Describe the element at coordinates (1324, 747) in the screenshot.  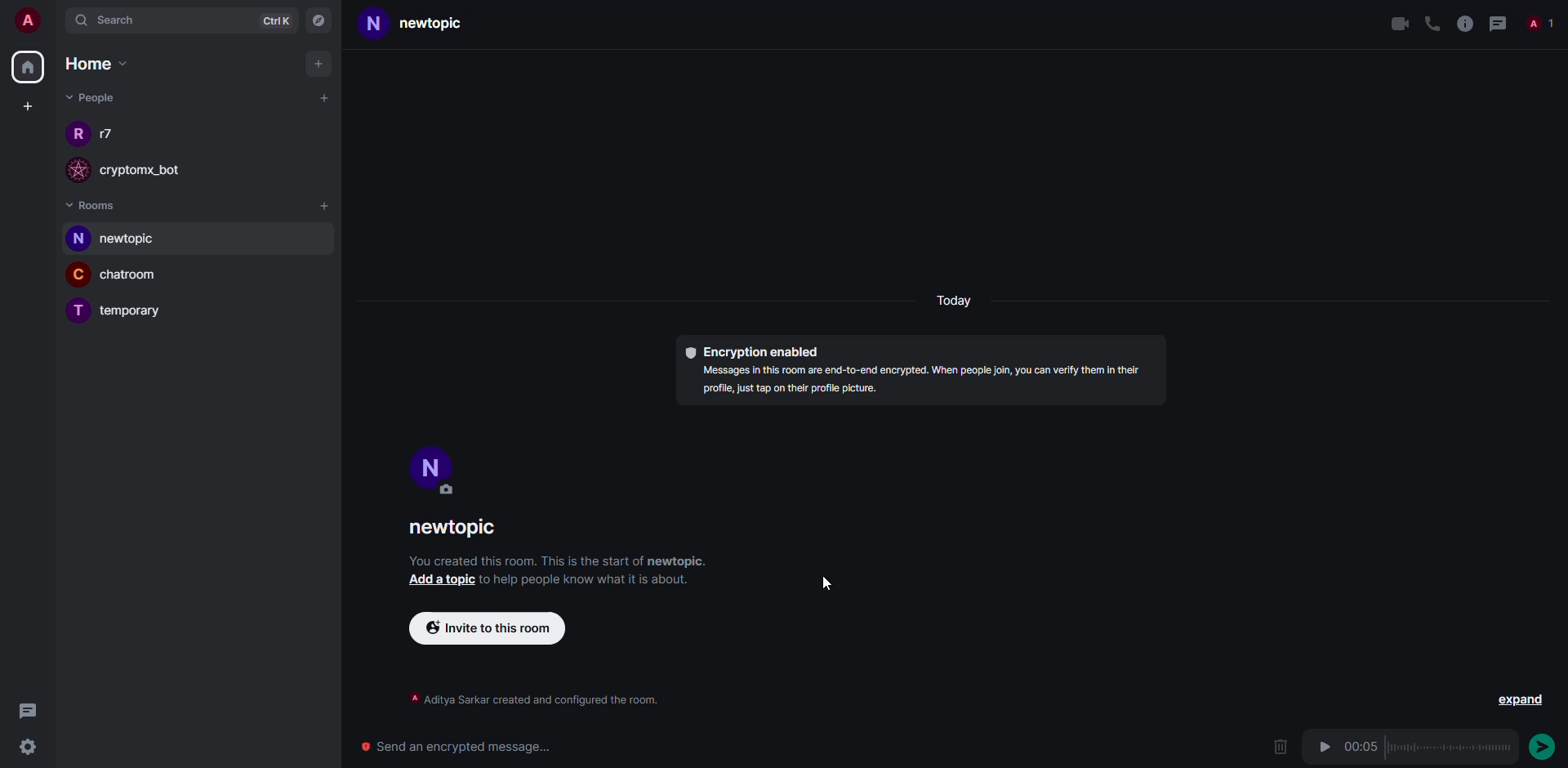
I see `play` at that location.